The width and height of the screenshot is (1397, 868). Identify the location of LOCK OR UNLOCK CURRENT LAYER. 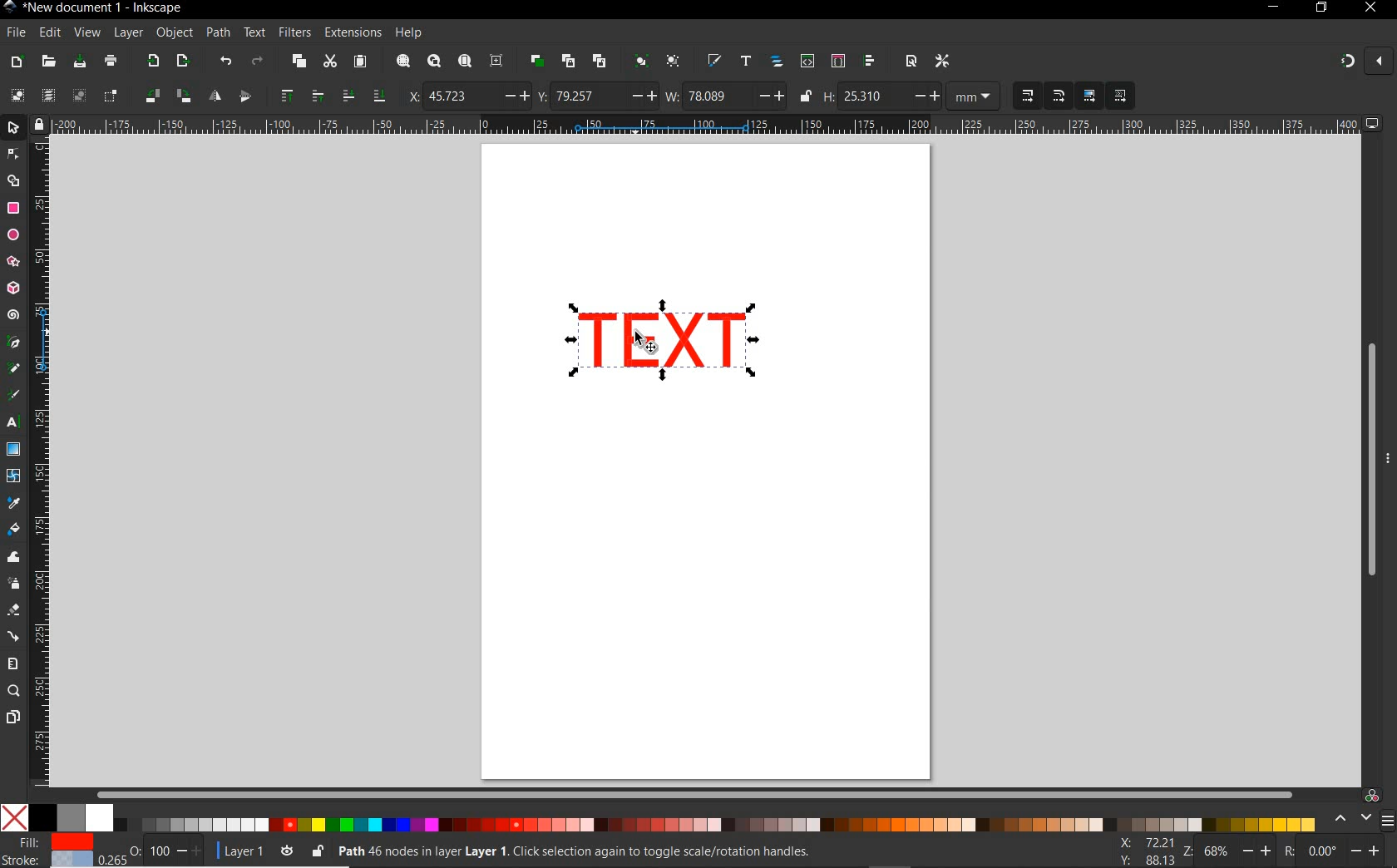
(317, 853).